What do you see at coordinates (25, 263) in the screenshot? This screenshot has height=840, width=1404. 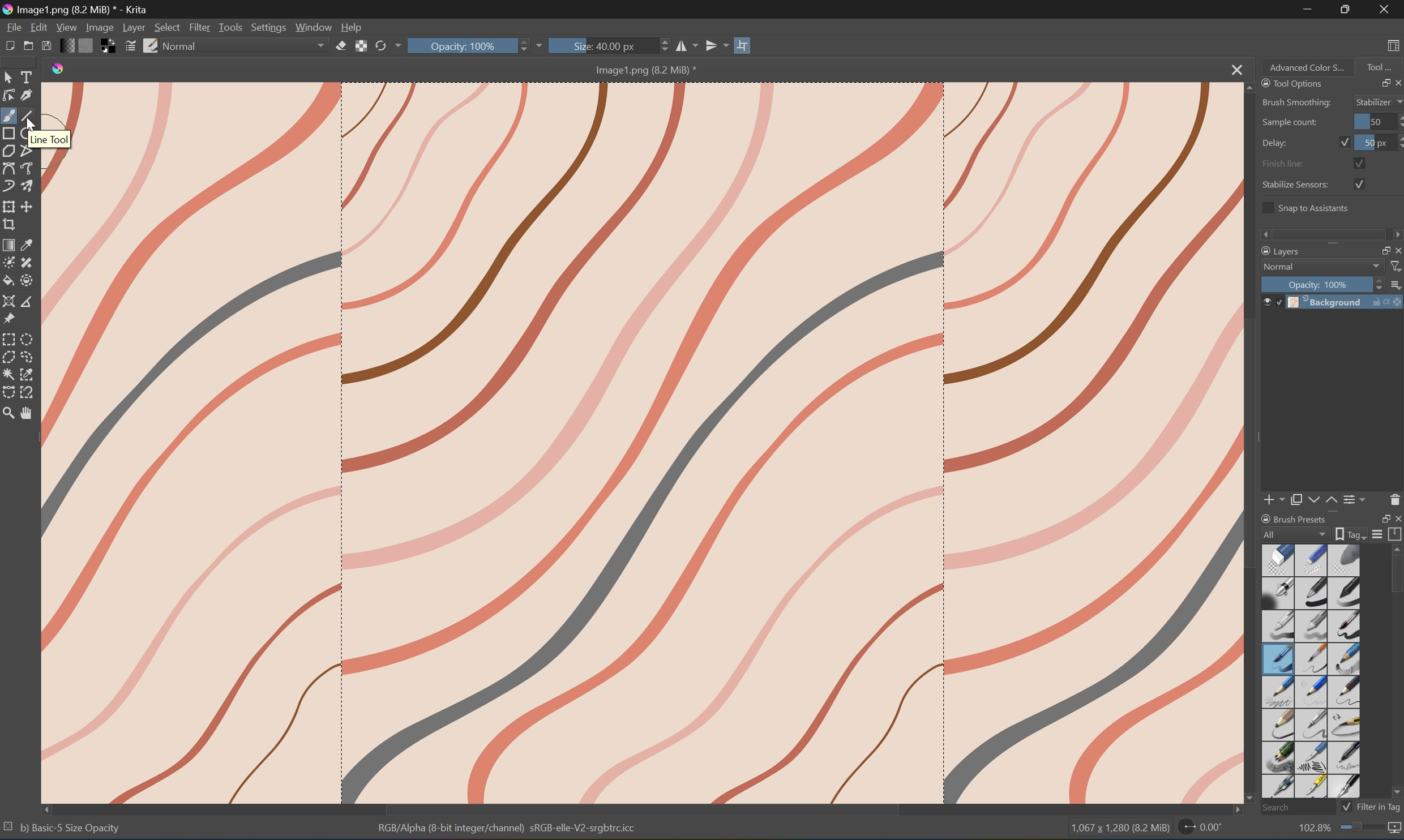 I see `Draw patch tool` at bounding box center [25, 263].